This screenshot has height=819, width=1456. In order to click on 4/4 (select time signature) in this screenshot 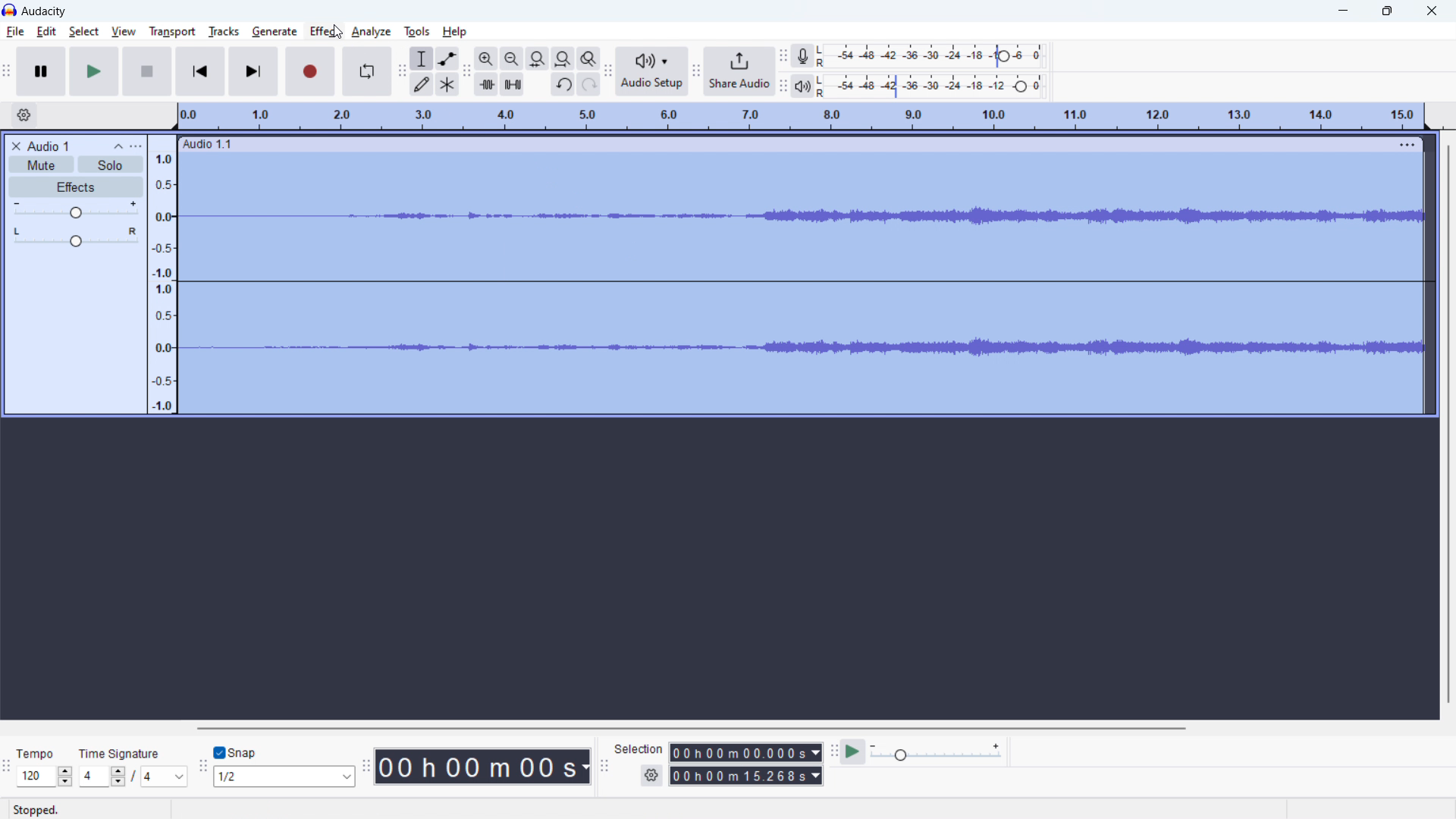, I will do `click(133, 776)`.